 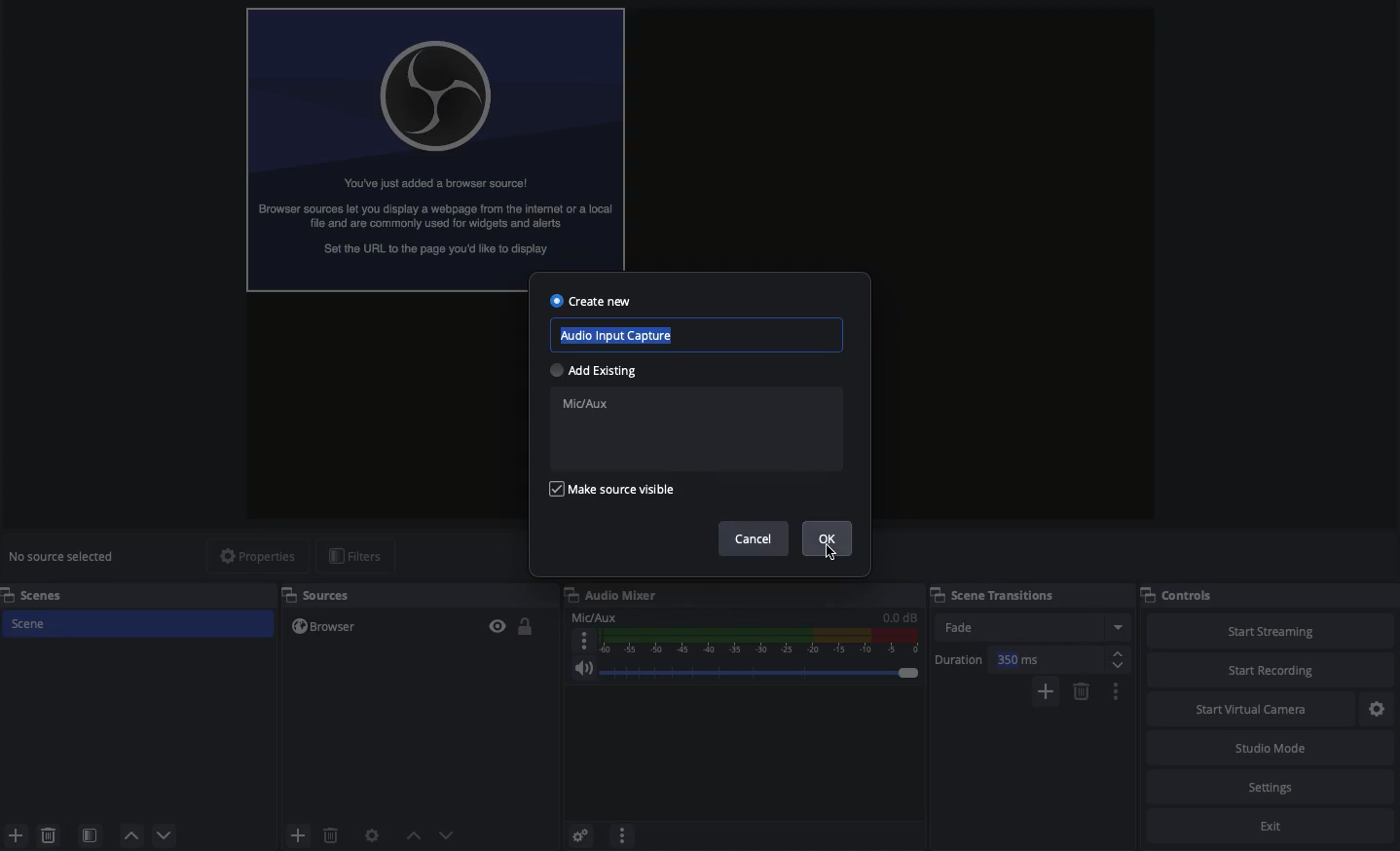 What do you see at coordinates (1268, 670) in the screenshot?
I see `Start recording` at bounding box center [1268, 670].